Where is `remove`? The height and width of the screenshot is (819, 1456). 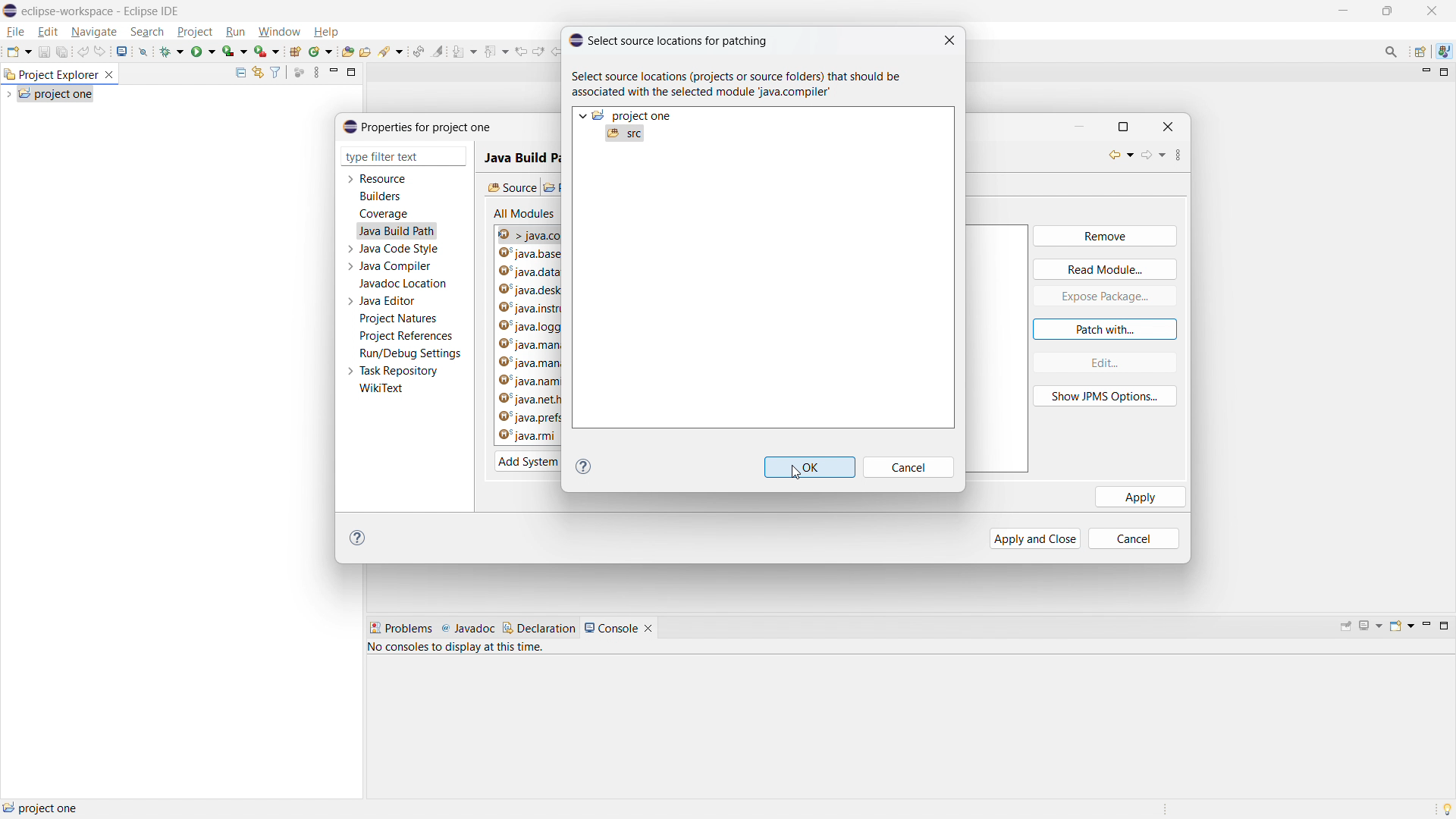 remove is located at coordinates (1104, 237).